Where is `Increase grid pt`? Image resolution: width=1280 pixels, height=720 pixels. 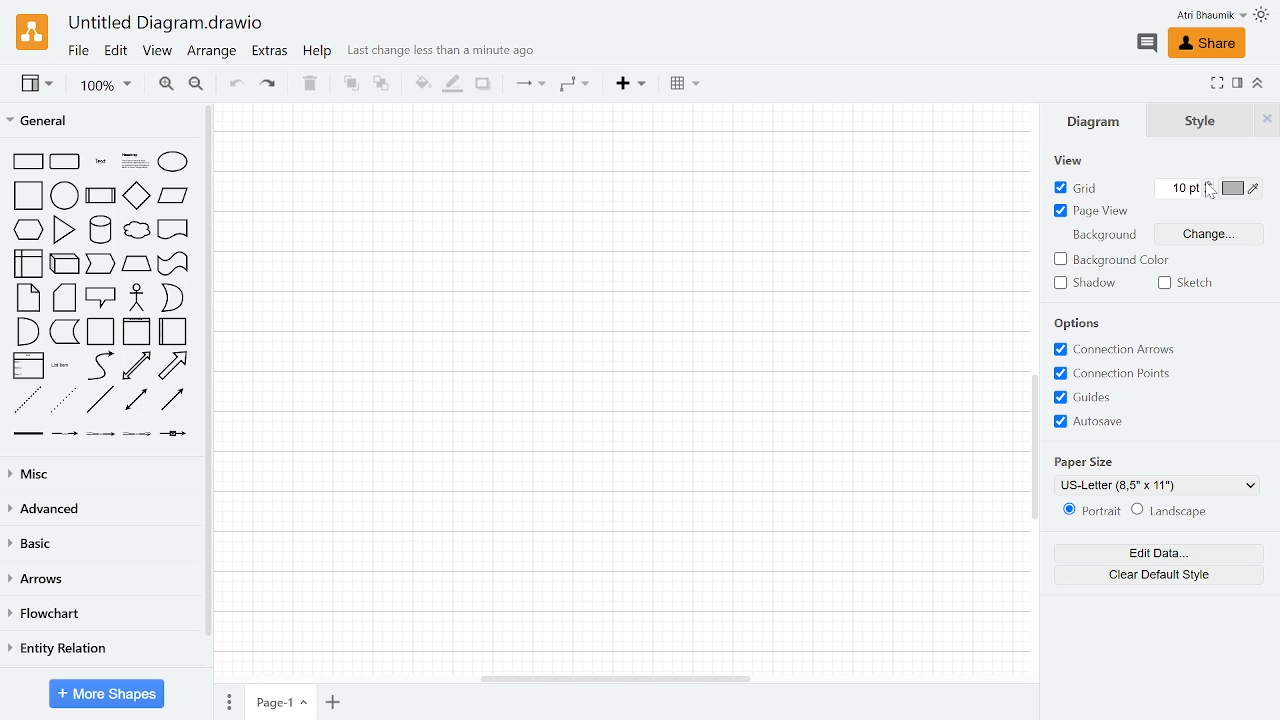
Increase grid pt is located at coordinates (1212, 181).